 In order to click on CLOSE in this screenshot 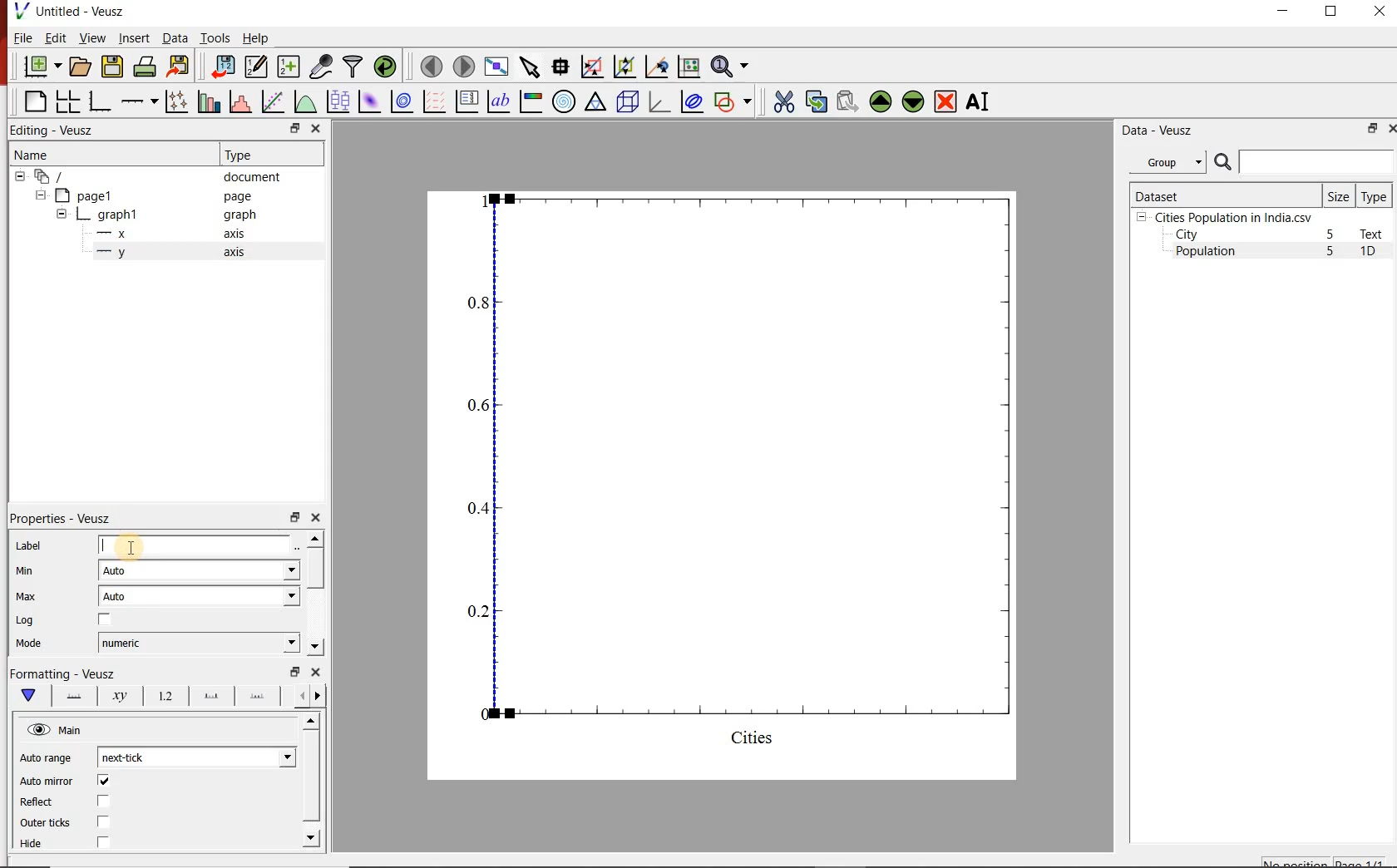, I will do `click(1378, 13)`.